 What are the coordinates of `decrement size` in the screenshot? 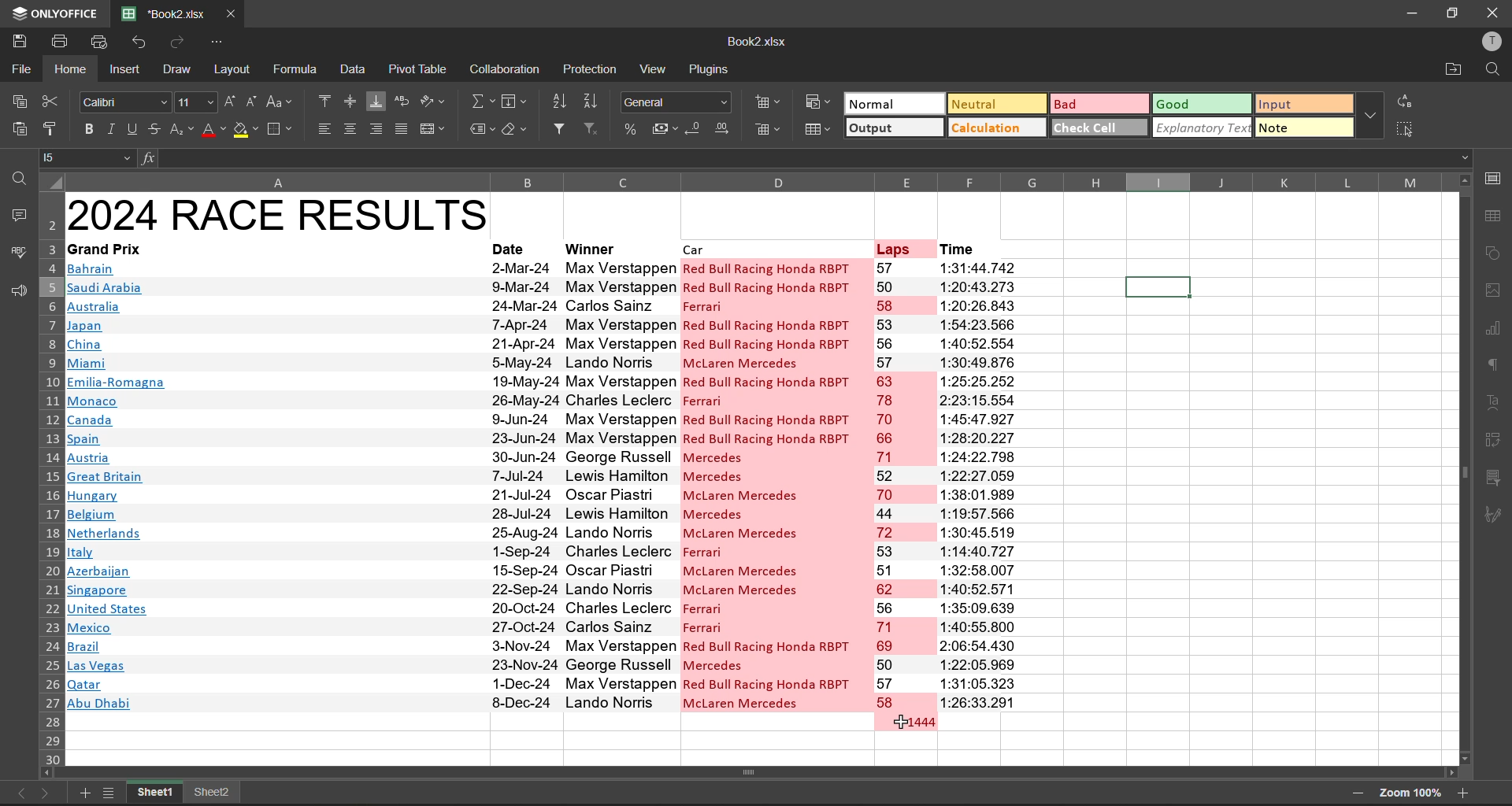 It's located at (249, 102).